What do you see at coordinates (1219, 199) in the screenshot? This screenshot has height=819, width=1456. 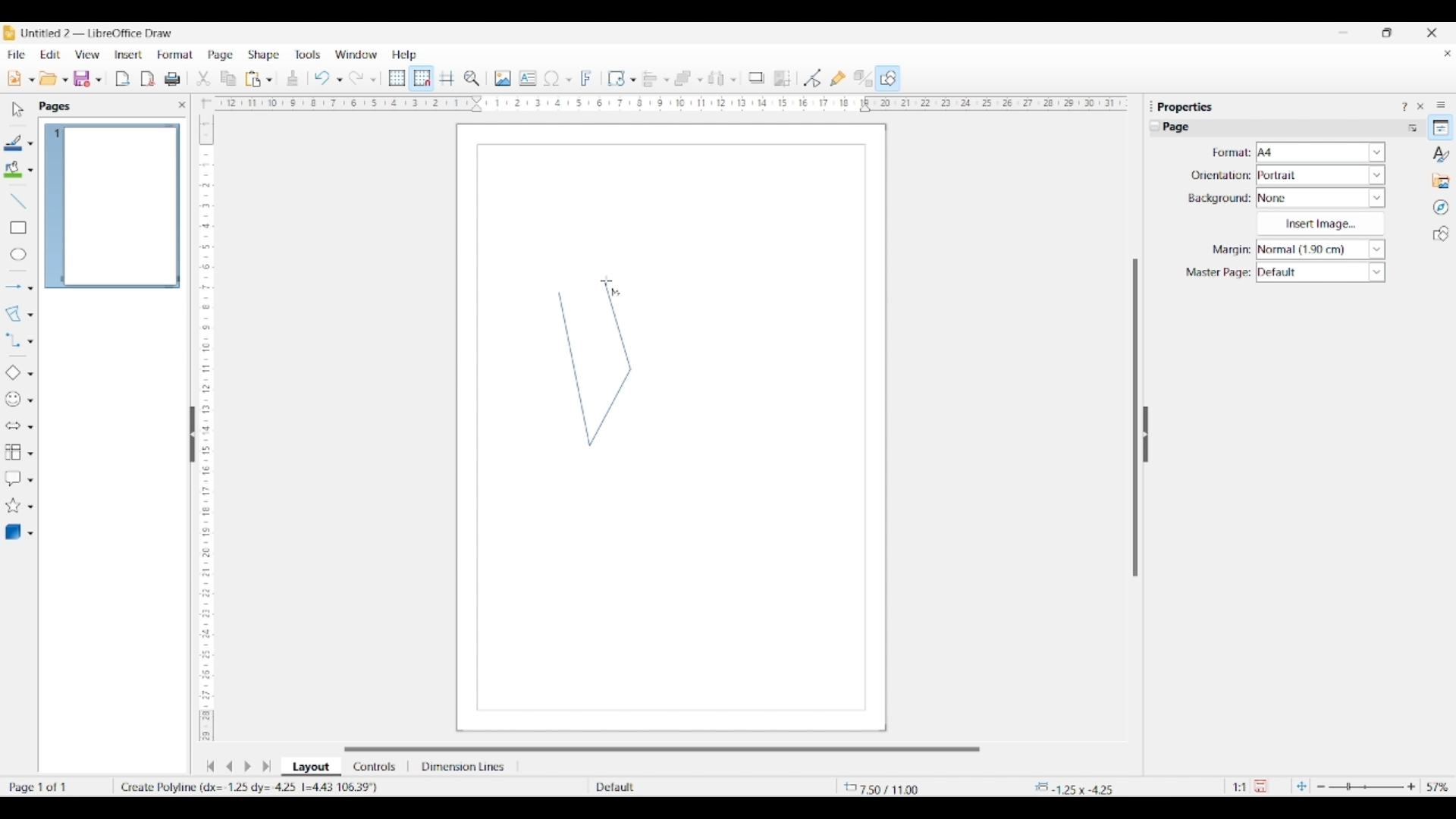 I see `Indicates background settings` at bounding box center [1219, 199].